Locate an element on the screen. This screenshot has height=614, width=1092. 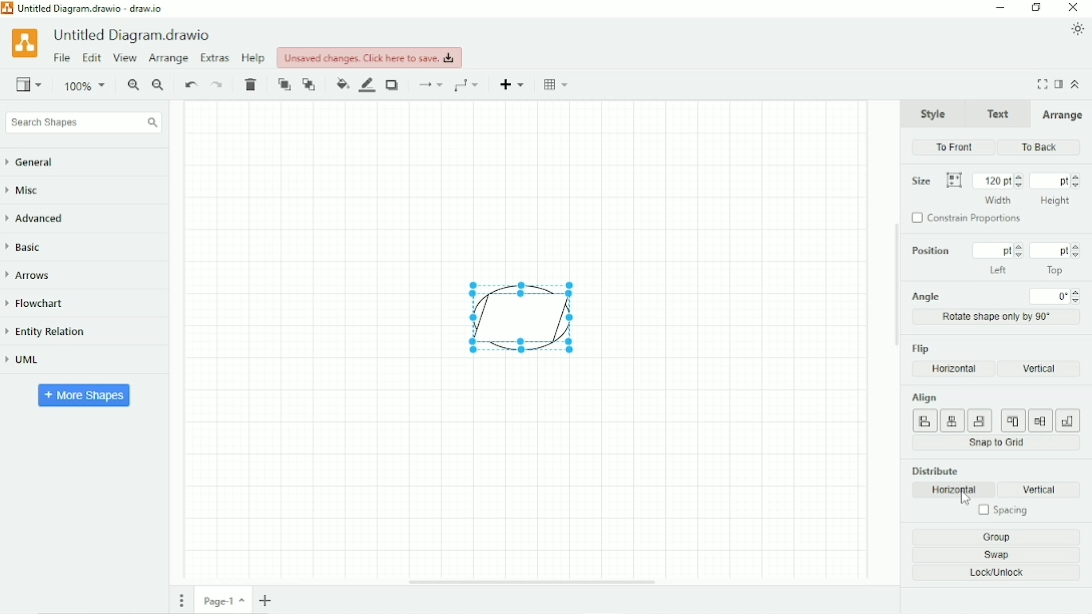
Entity relation is located at coordinates (55, 332).